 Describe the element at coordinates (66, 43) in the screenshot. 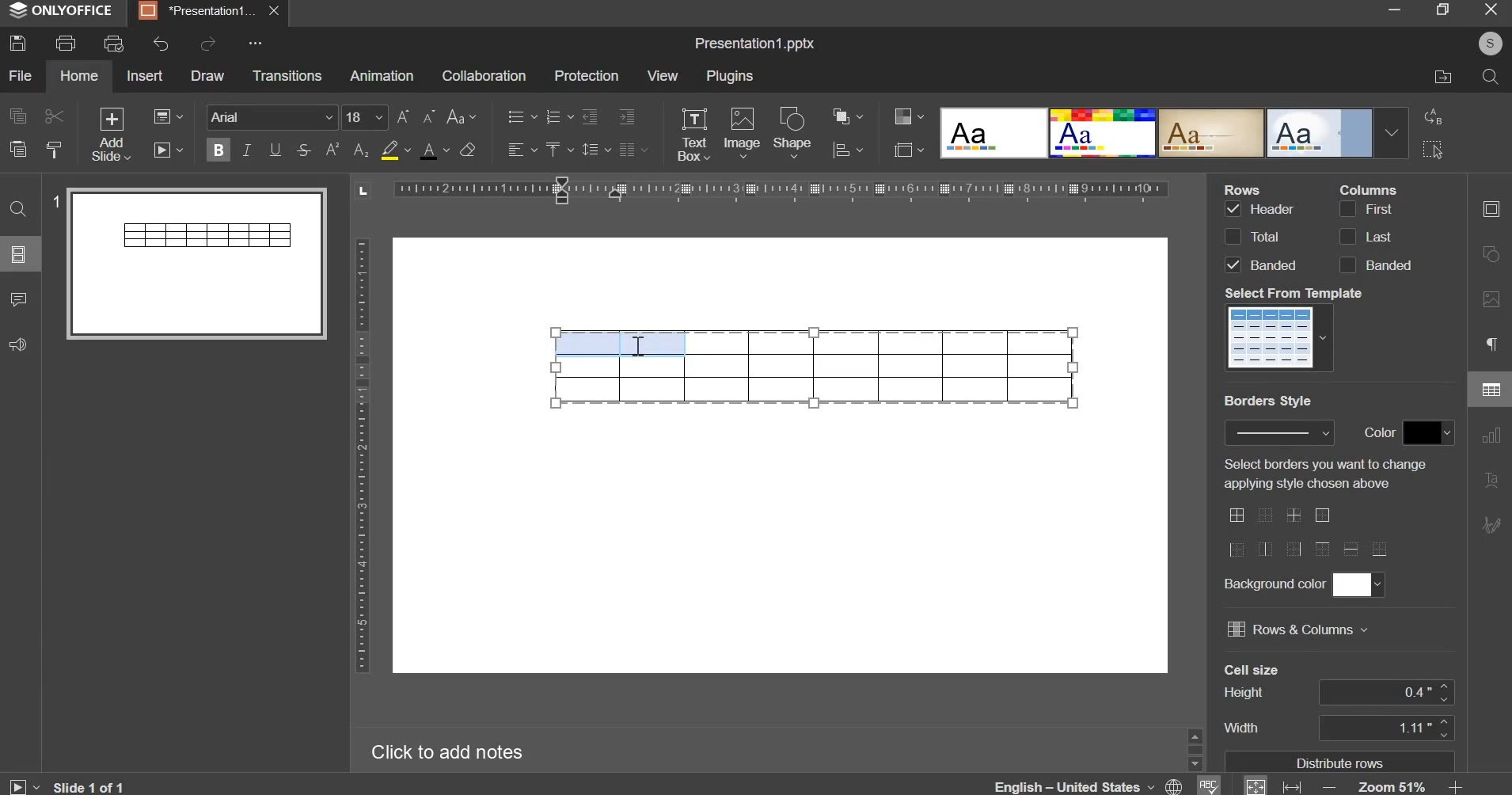

I see `print` at that location.